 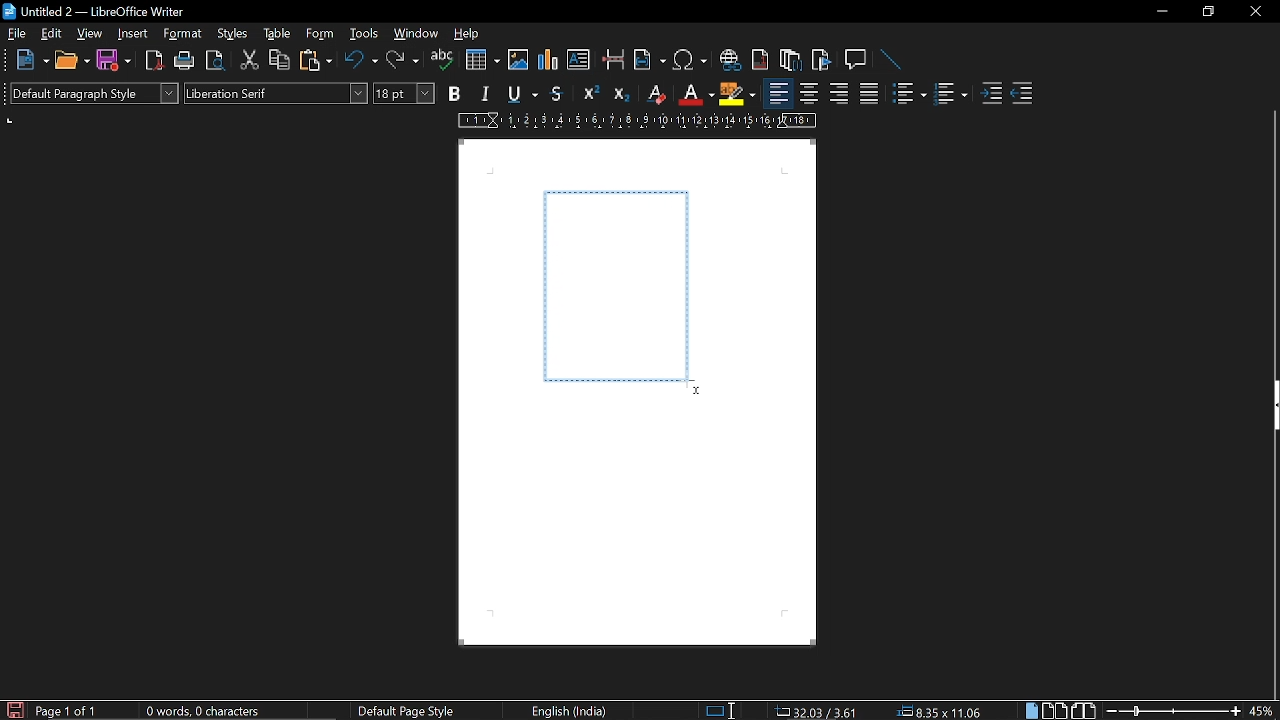 What do you see at coordinates (1254, 13) in the screenshot?
I see `close` at bounding box center [1254, 13].